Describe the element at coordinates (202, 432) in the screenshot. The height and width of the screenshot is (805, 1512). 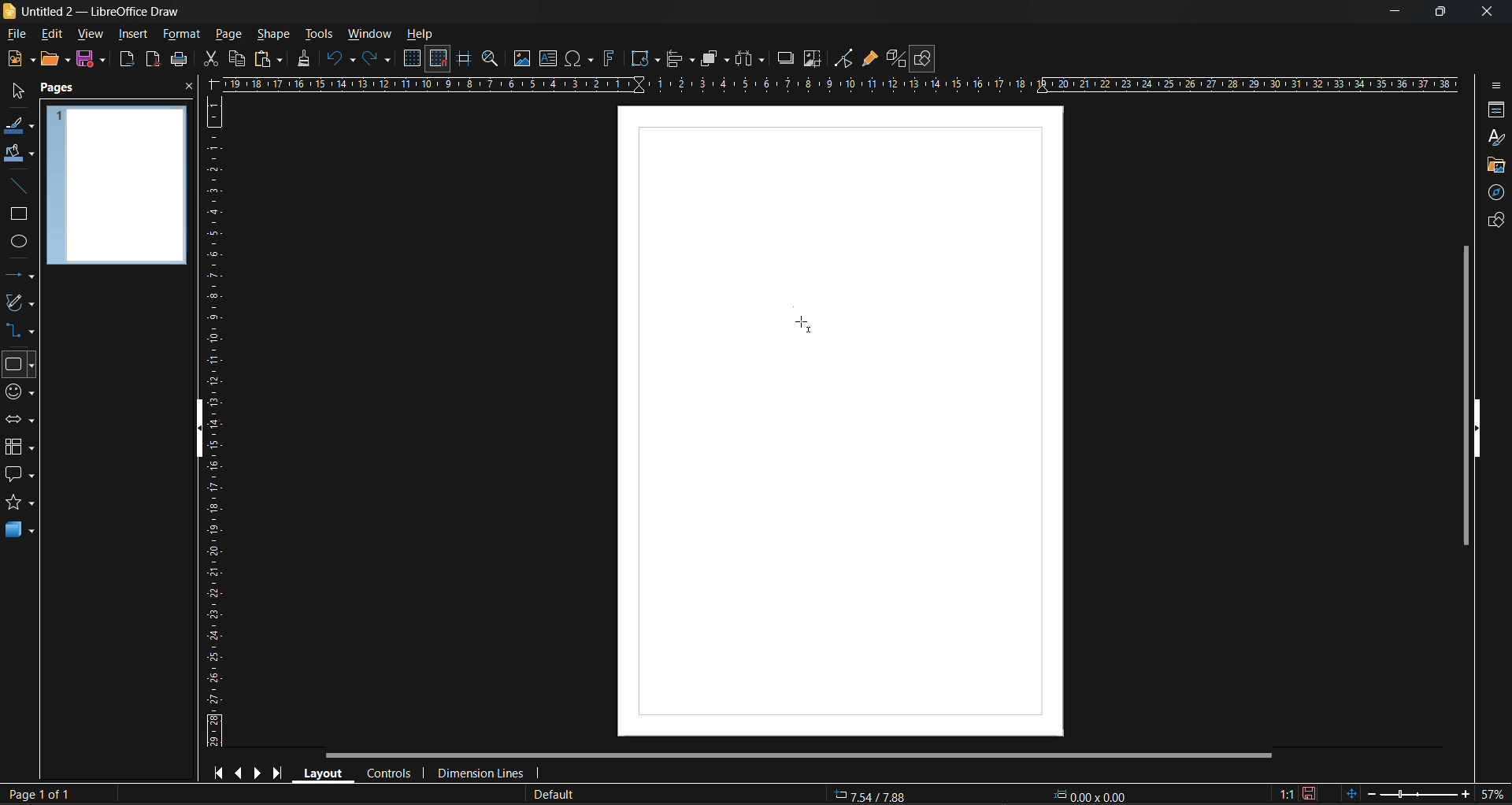
I see `hide` at that location.